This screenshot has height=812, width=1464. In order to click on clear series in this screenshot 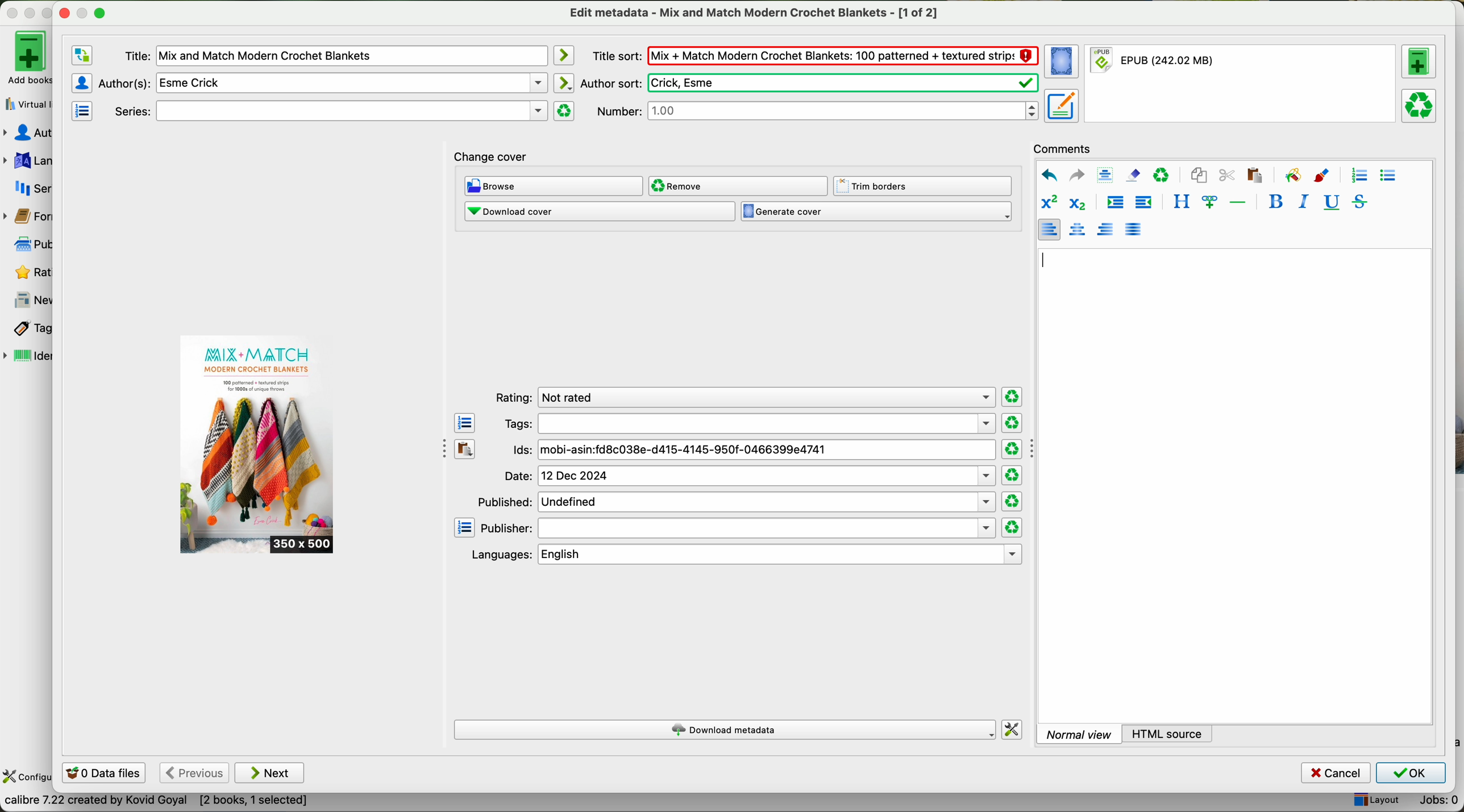, I will do `click(564, 111)`.